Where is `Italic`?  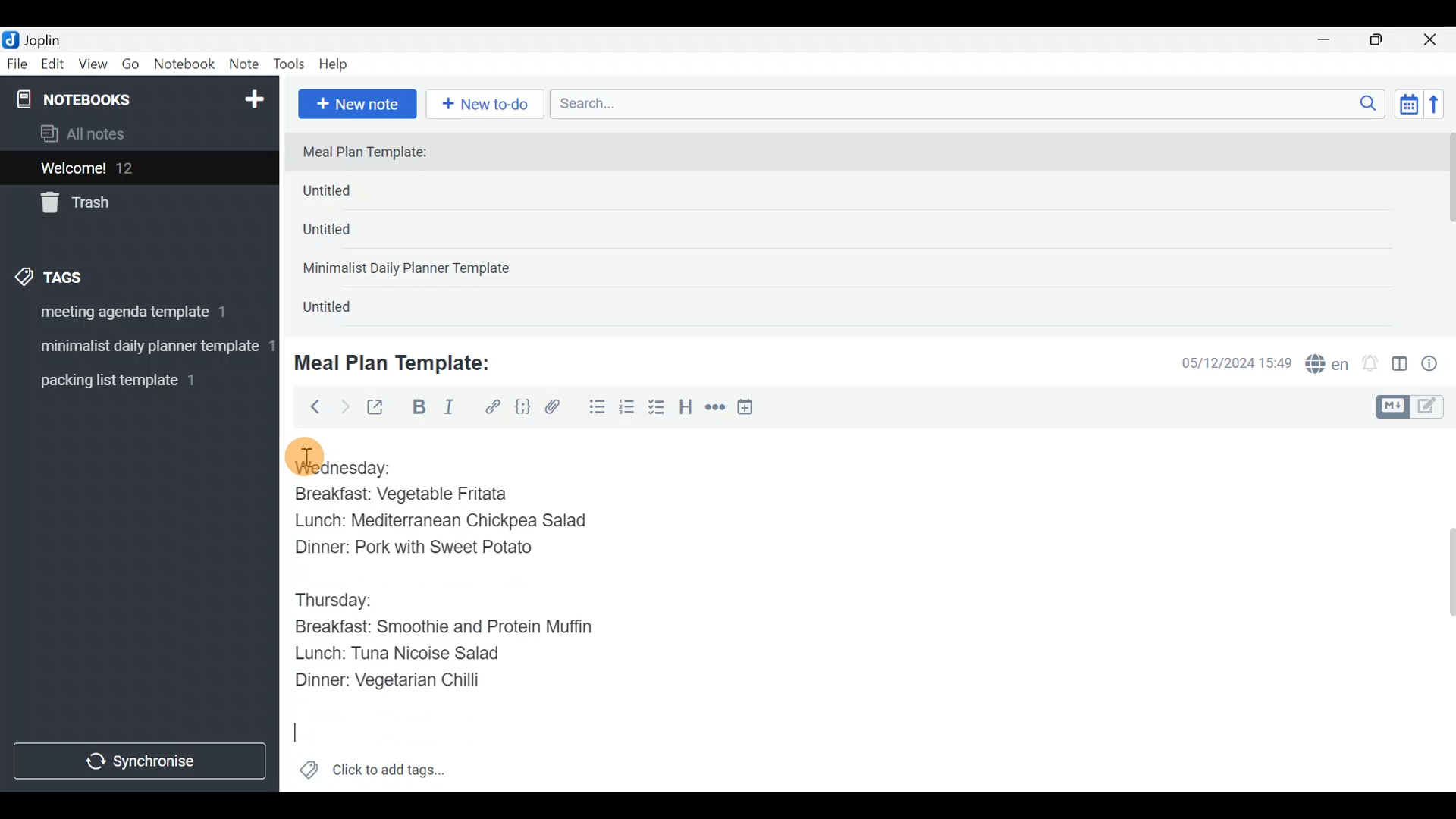
Italic is located at coordinates (447, 410).